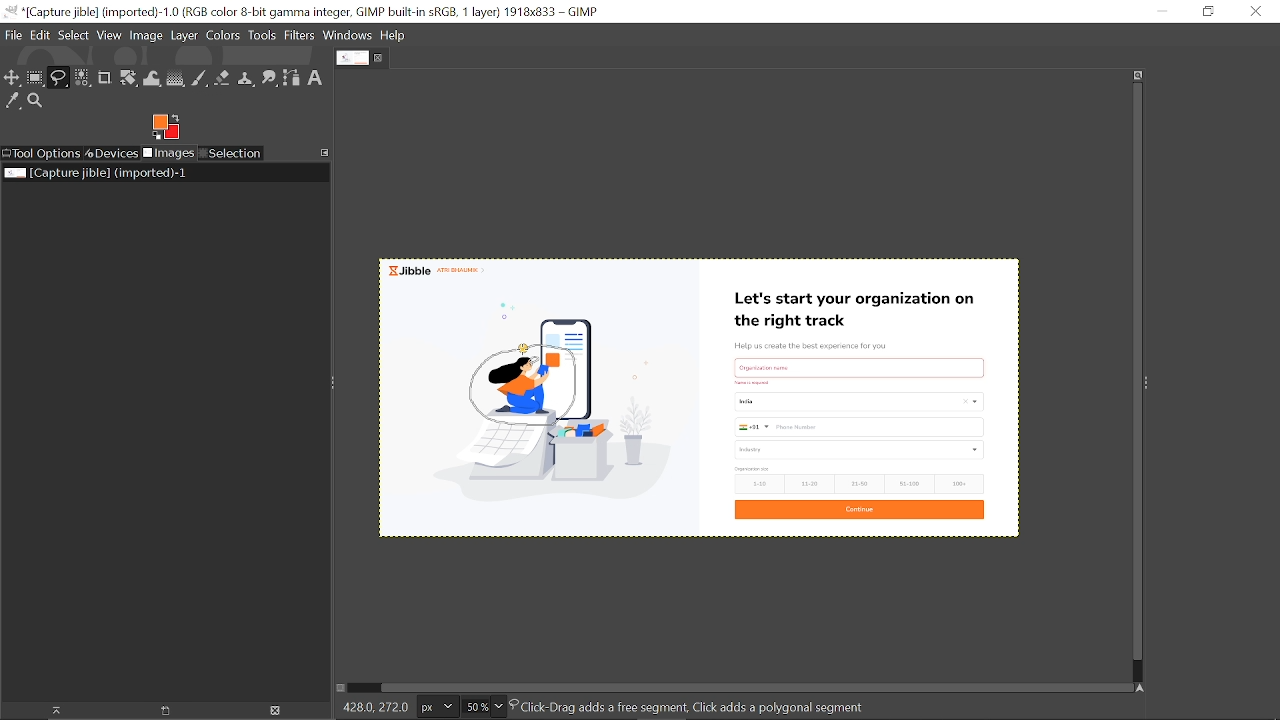  What do you see at coordinates (128, 79) in the screenshot?
I see `Unified transform tool` at bounding box center [128, 79].